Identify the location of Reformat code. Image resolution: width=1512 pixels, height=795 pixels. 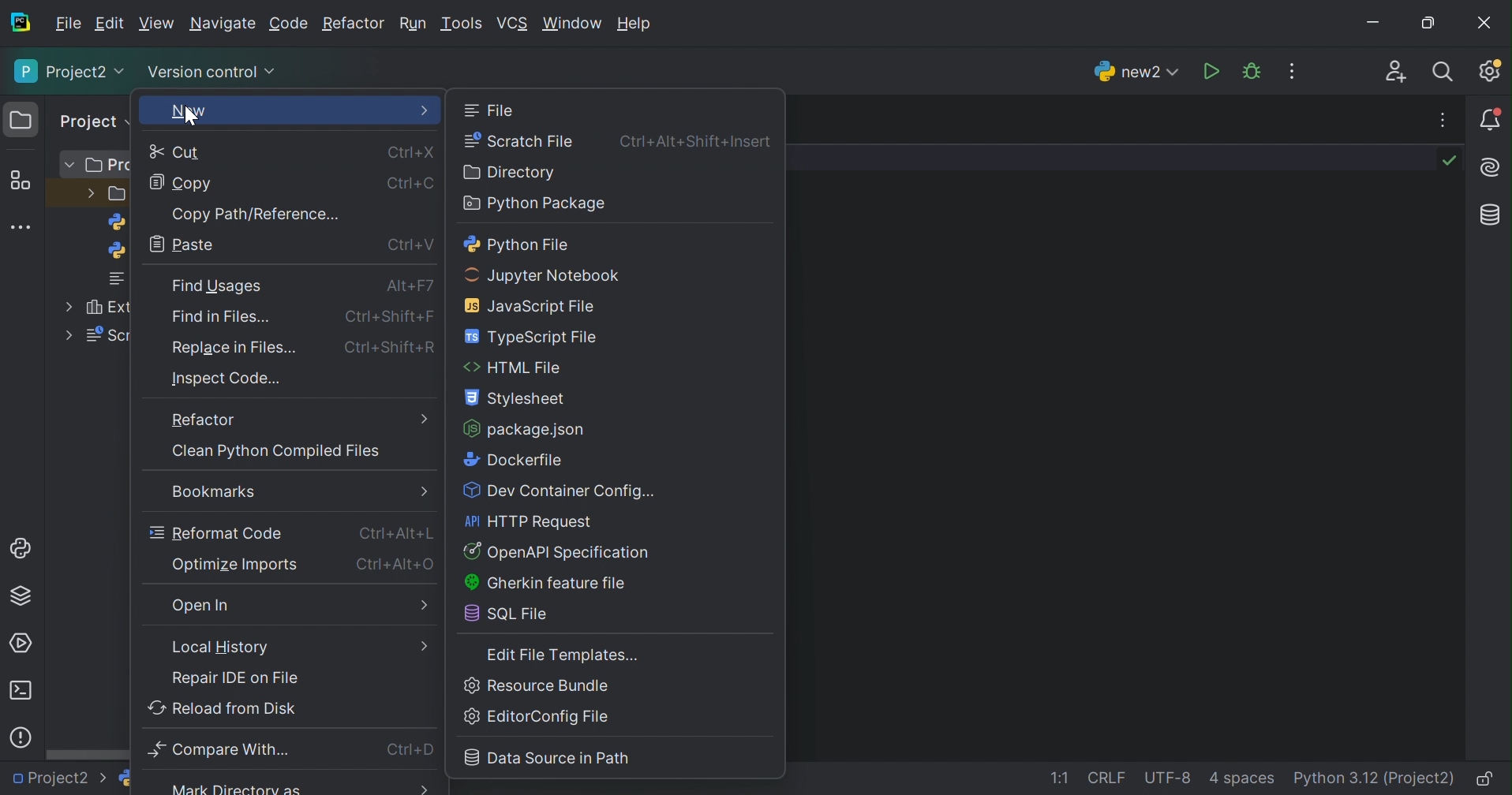
(216, 533).